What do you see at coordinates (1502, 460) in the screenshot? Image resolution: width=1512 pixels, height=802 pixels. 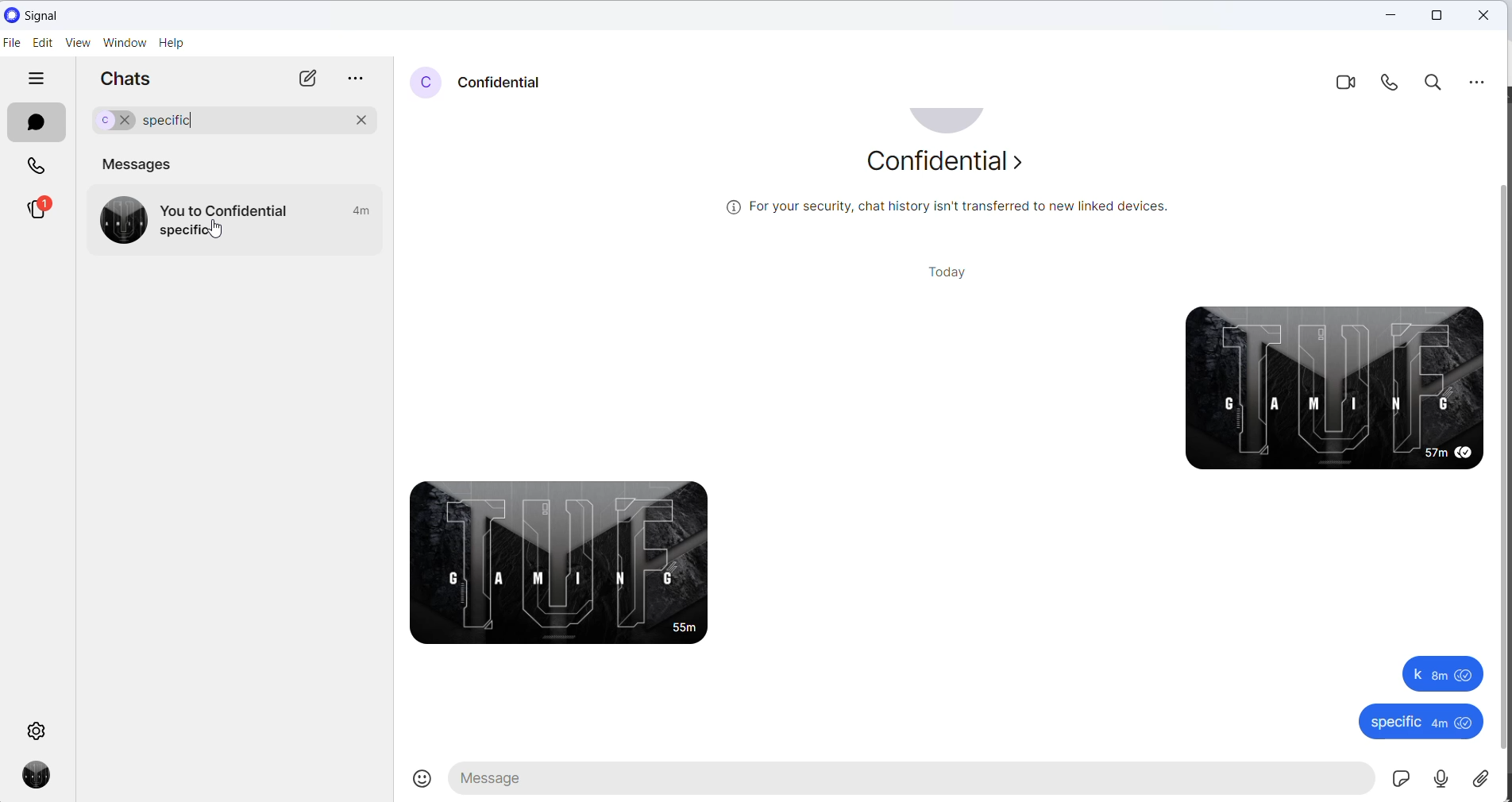 I see `scrollbar` at bounding box center [1502, 460].